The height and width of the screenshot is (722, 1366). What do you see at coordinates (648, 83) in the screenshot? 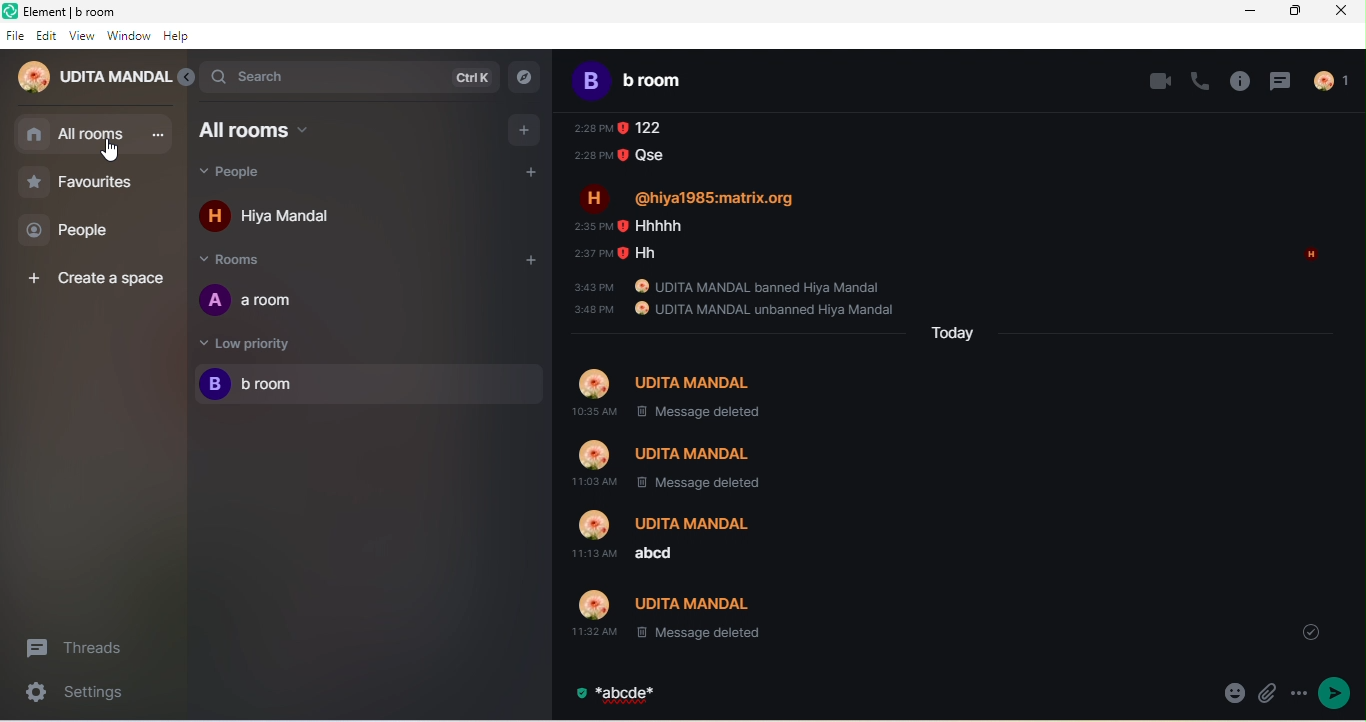
I see `b room` at bounding box center [648, 83].